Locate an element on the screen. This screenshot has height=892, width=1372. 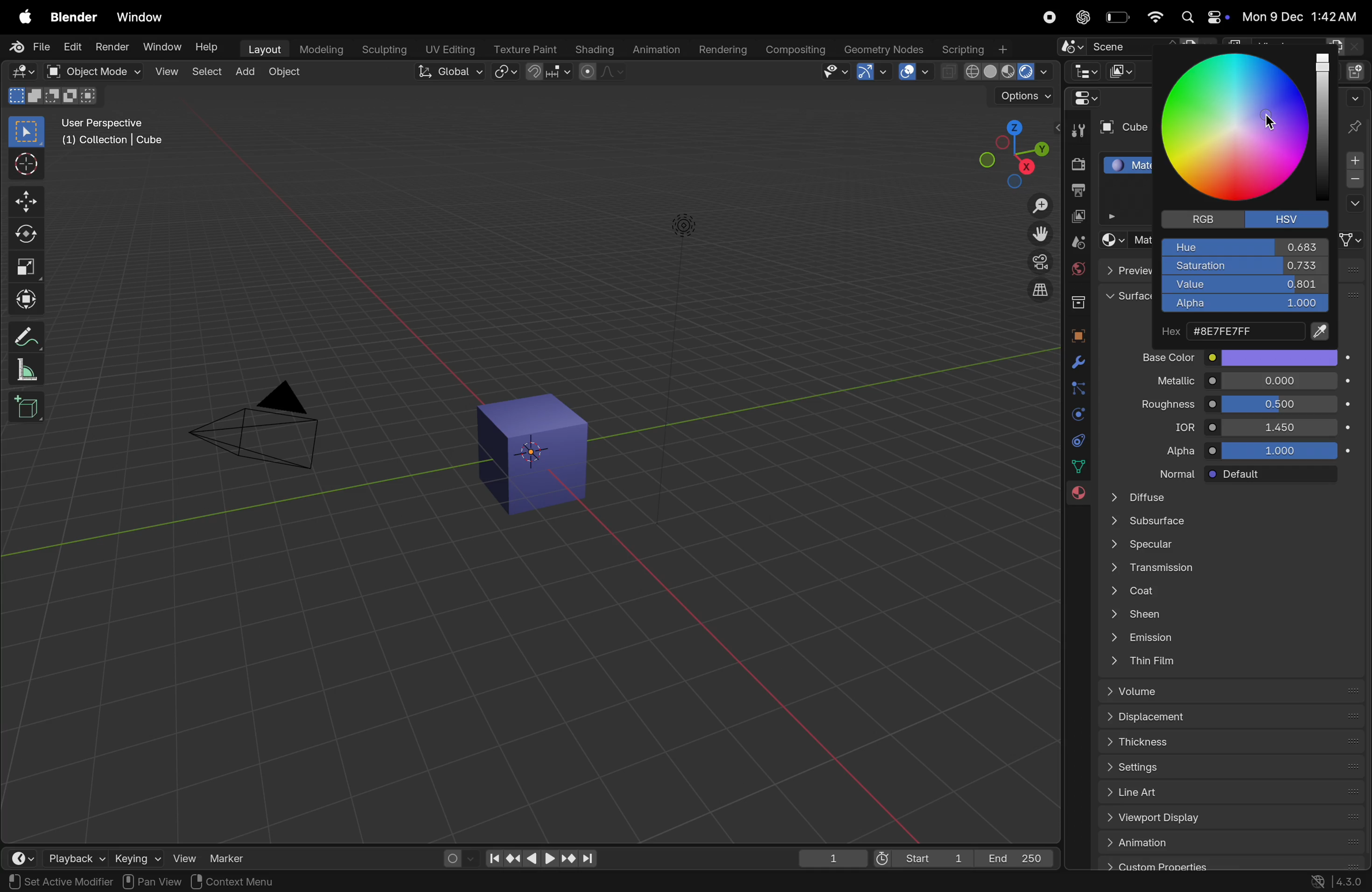
cursor is located at coordinates (1273, 122).